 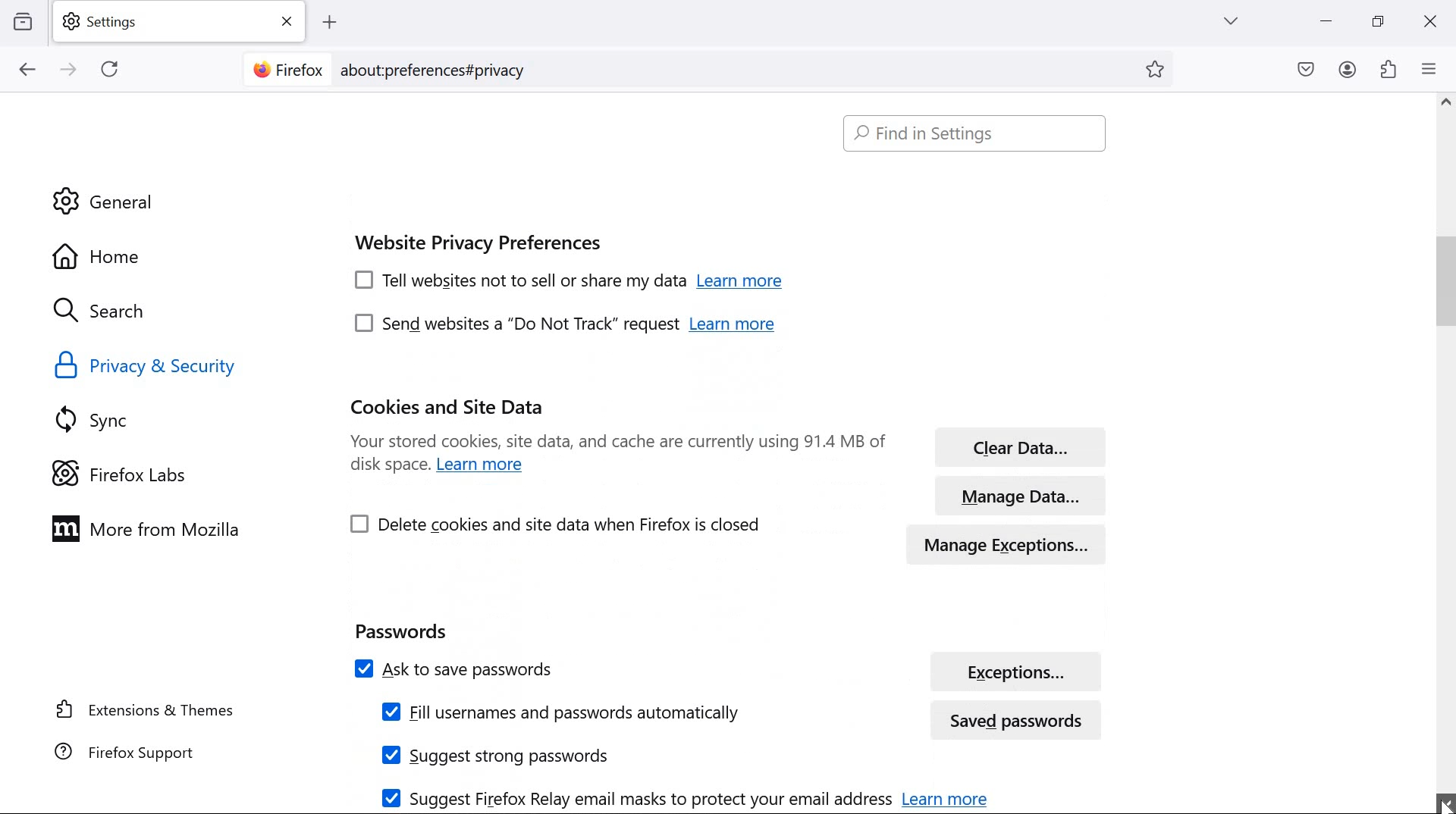 I want to click on list all tabs, so click(x=1231, y=20).